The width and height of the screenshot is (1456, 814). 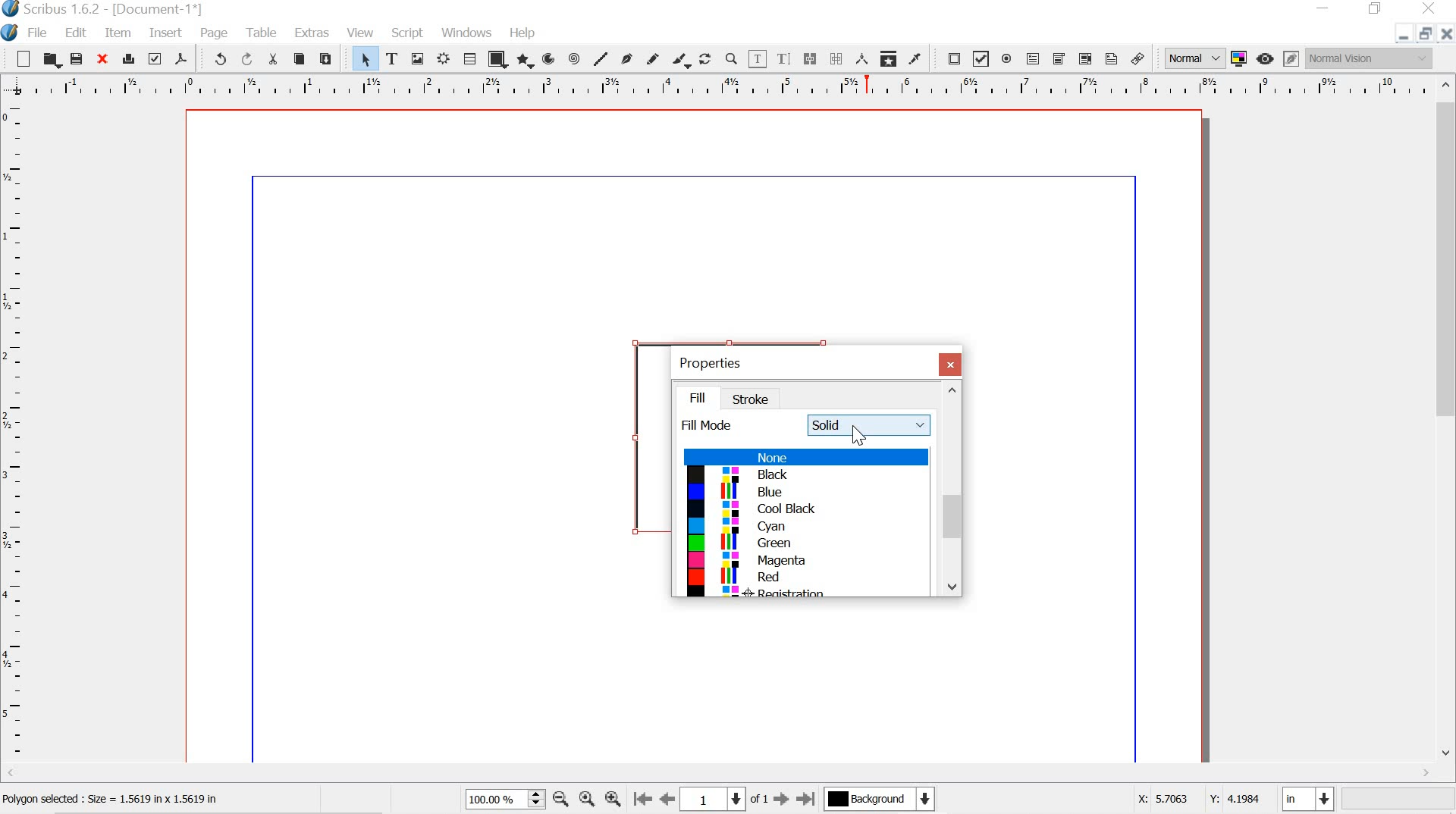 What do you see at coordinates (613, 800) in the screenshot?
I see `zoom in` at bounding box center [613, 800].